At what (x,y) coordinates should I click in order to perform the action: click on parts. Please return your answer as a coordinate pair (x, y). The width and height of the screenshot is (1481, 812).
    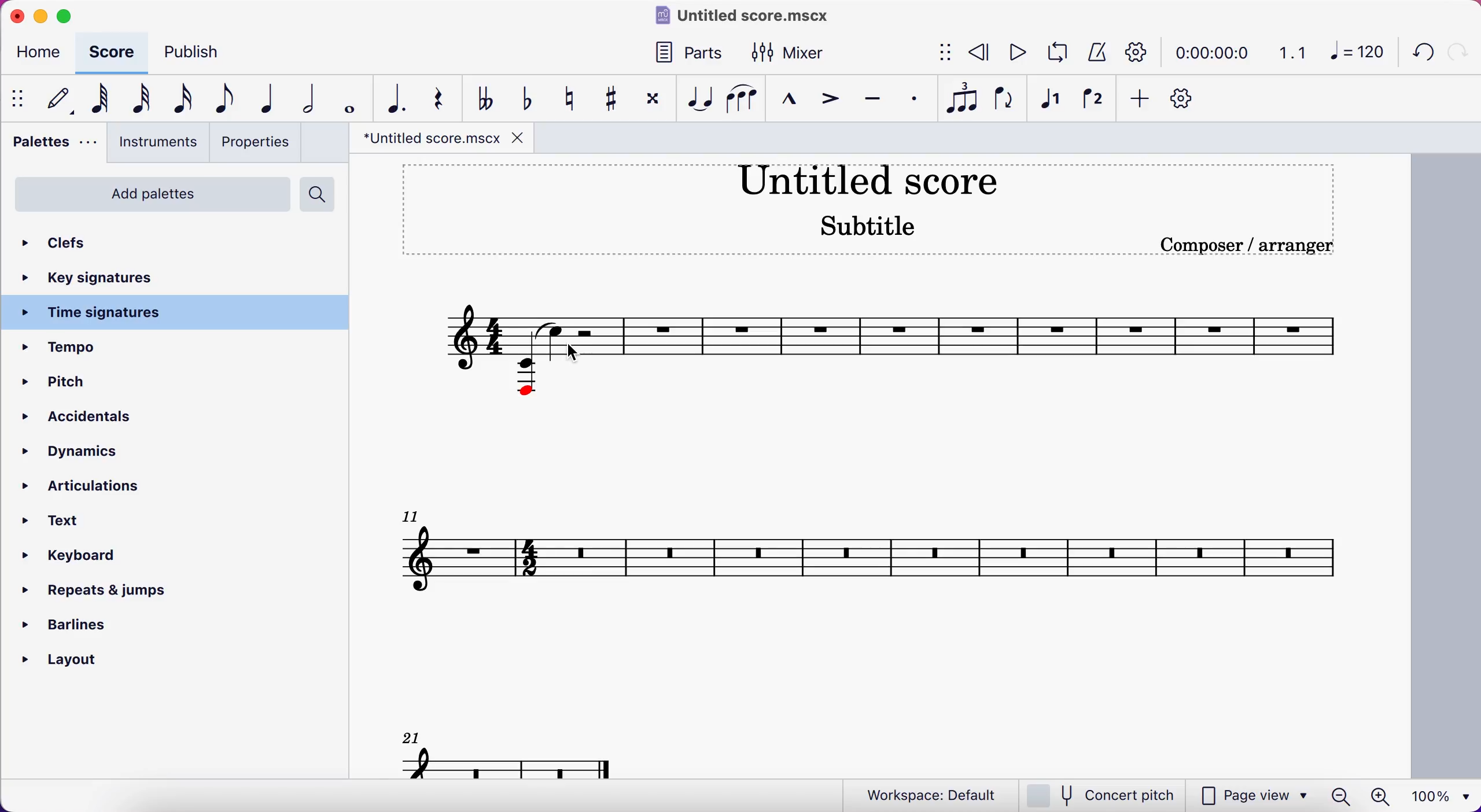
    Looking at the image, I should click on (697, 55).